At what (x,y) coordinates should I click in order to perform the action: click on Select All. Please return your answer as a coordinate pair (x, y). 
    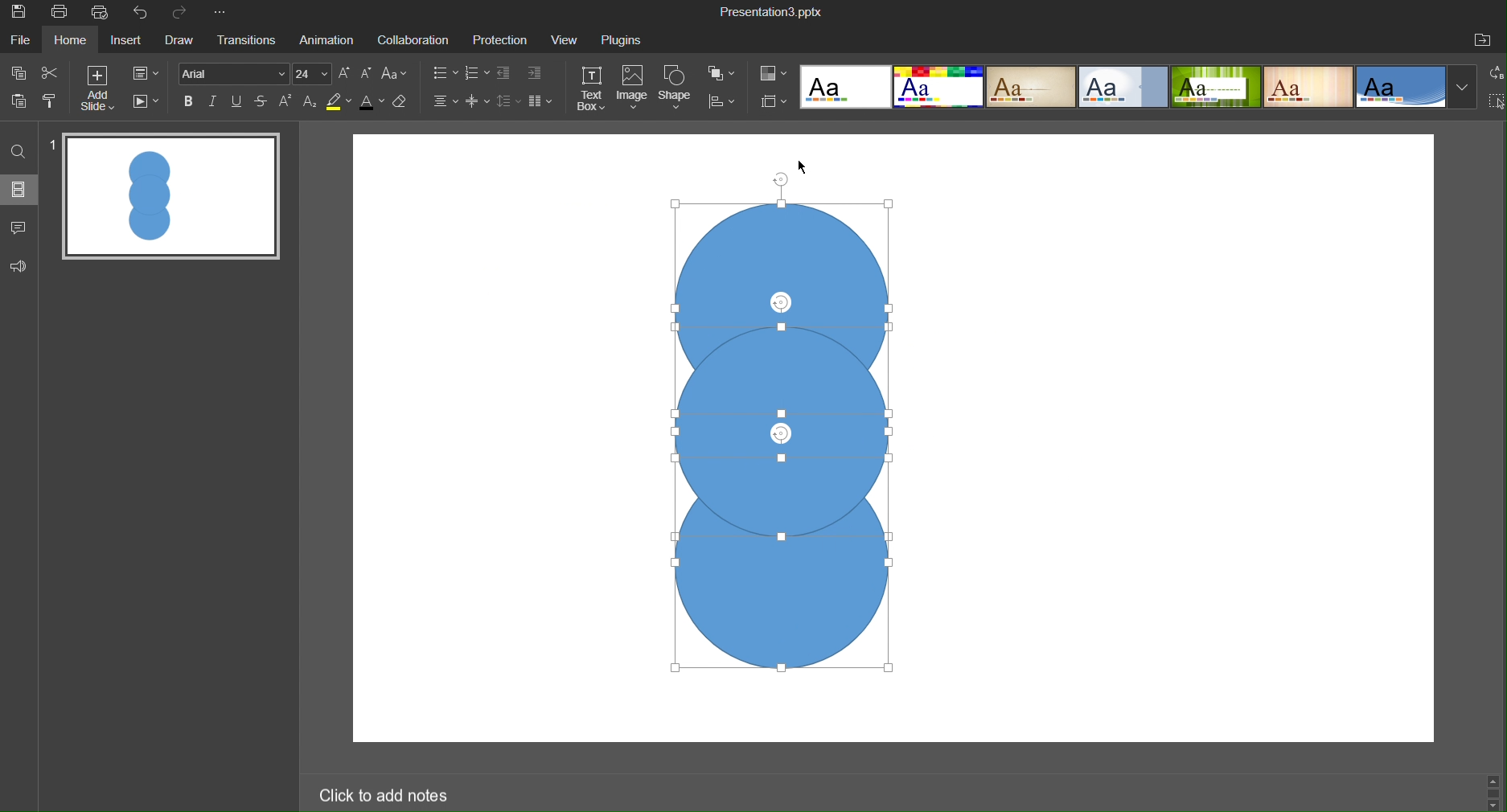
    Looking at the image, I should click on (1497, 103).